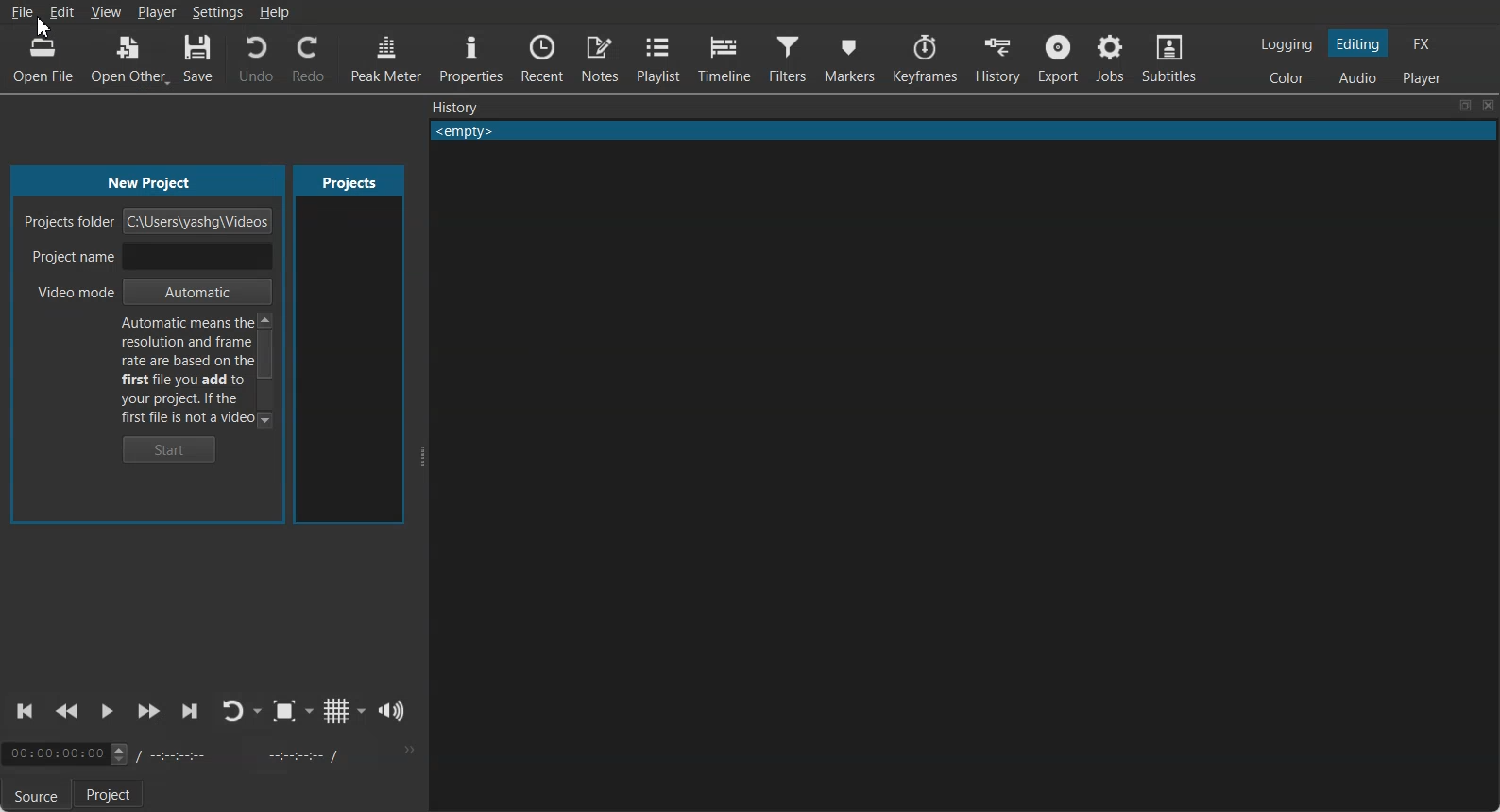  I want to click on New Project, so click(155, 180).